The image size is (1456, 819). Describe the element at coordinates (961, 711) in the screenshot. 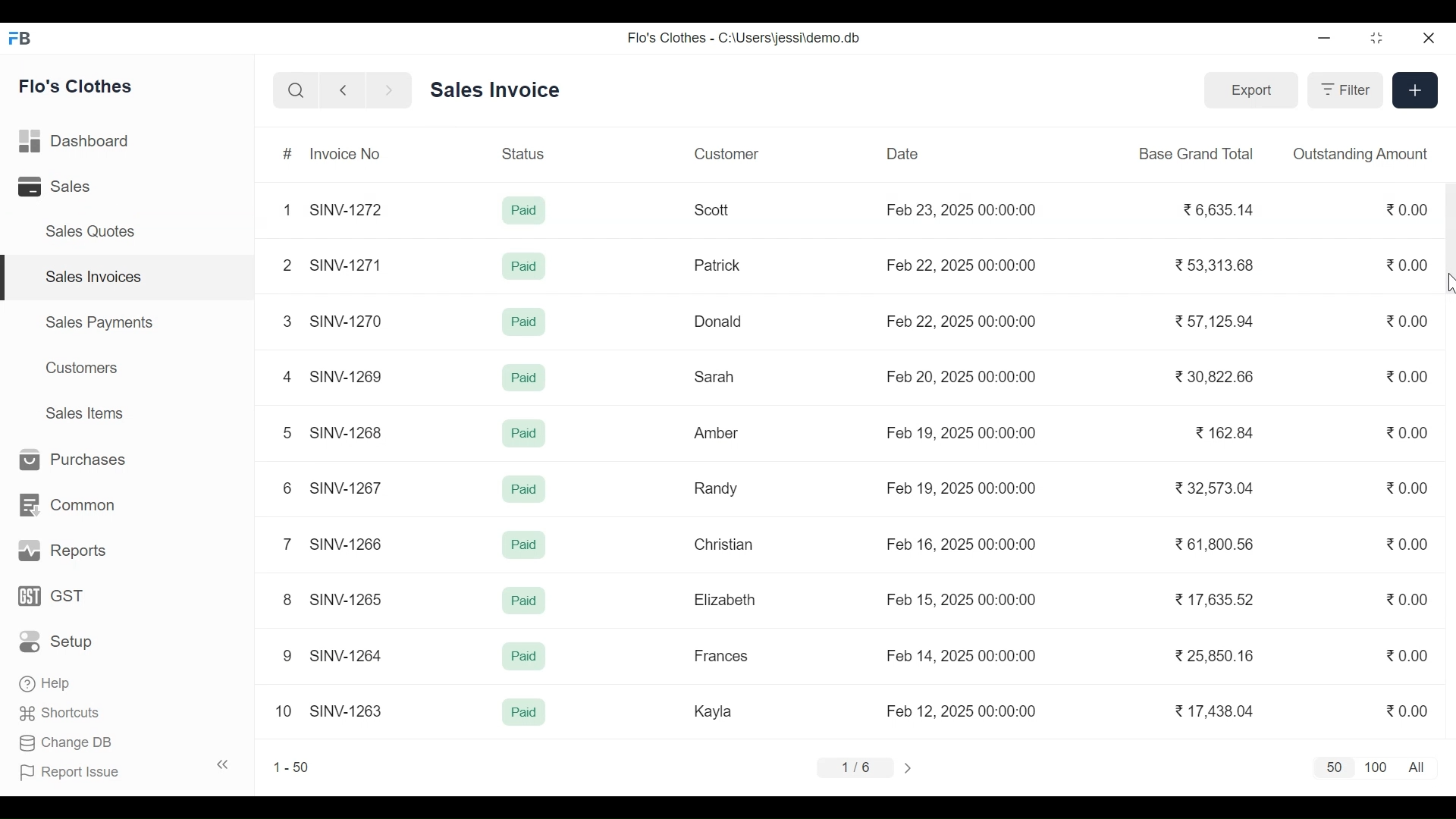

I see `Feb 12, 2025 00:00:00` at that location.